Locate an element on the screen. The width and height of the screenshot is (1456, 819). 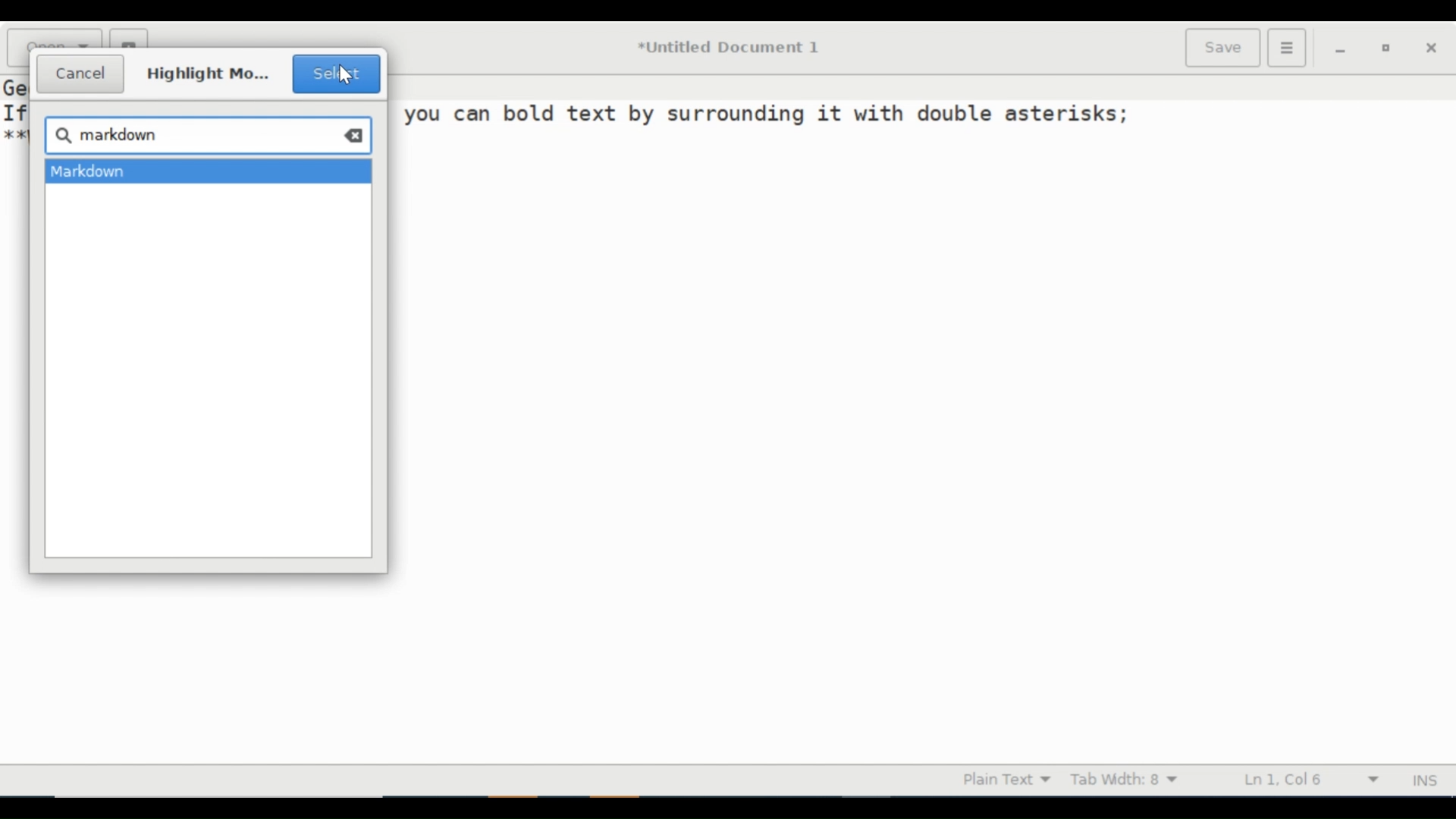
Markdown is located at coordinates (85, 172).